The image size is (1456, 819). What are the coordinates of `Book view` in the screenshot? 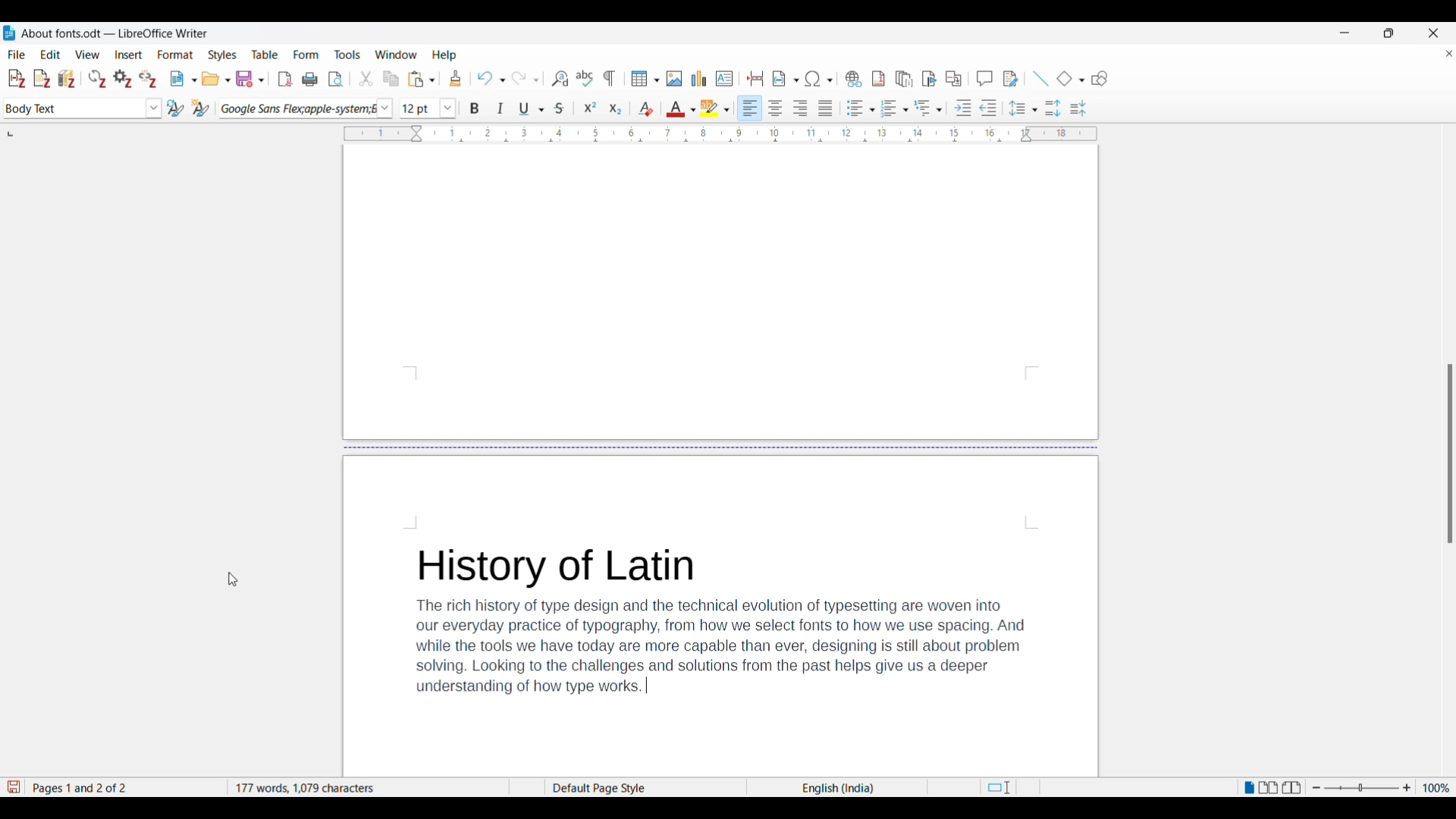 It's located at (1292, 787).